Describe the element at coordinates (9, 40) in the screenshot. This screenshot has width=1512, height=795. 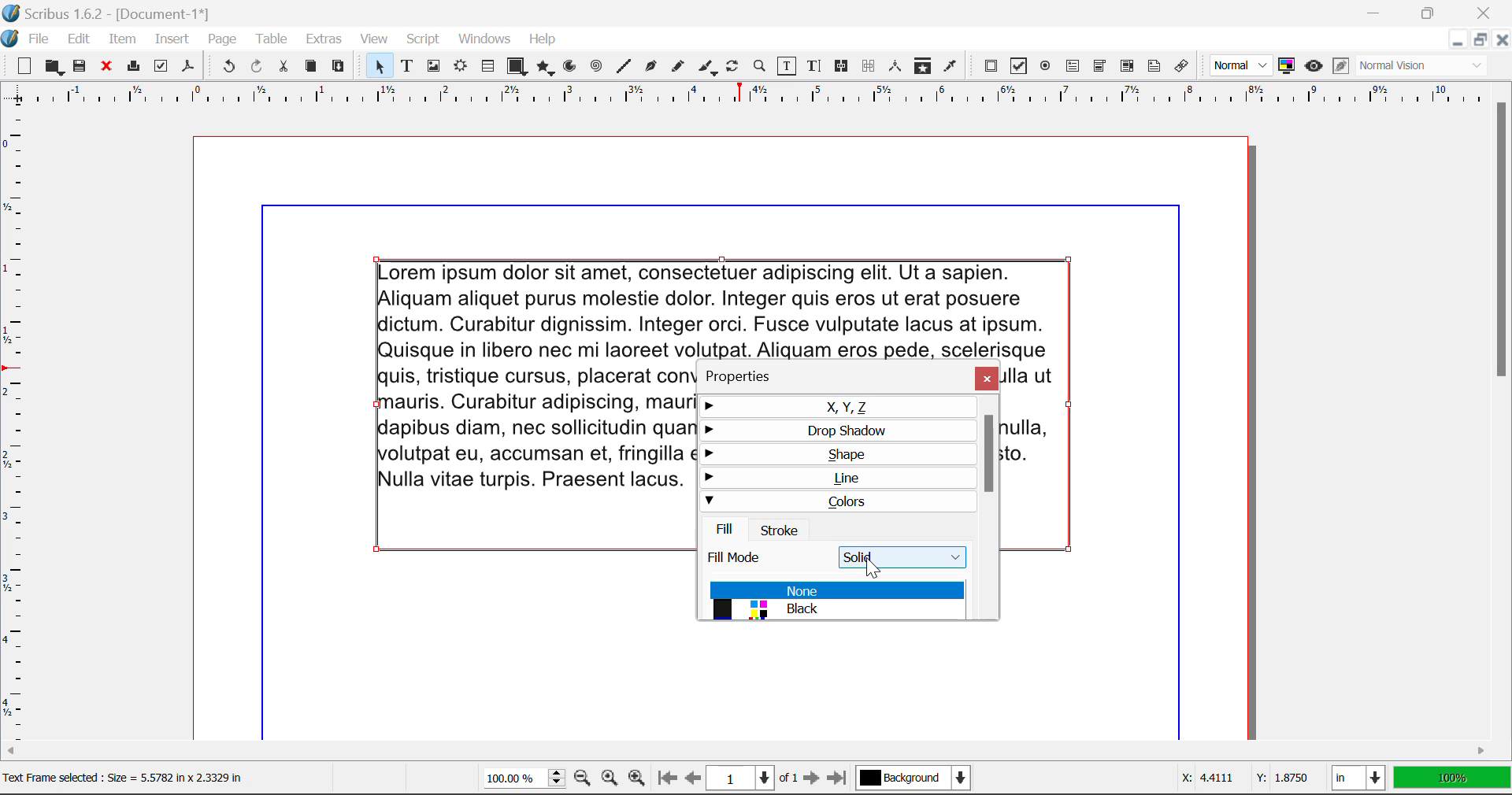
I see `scribus logo` at that location.